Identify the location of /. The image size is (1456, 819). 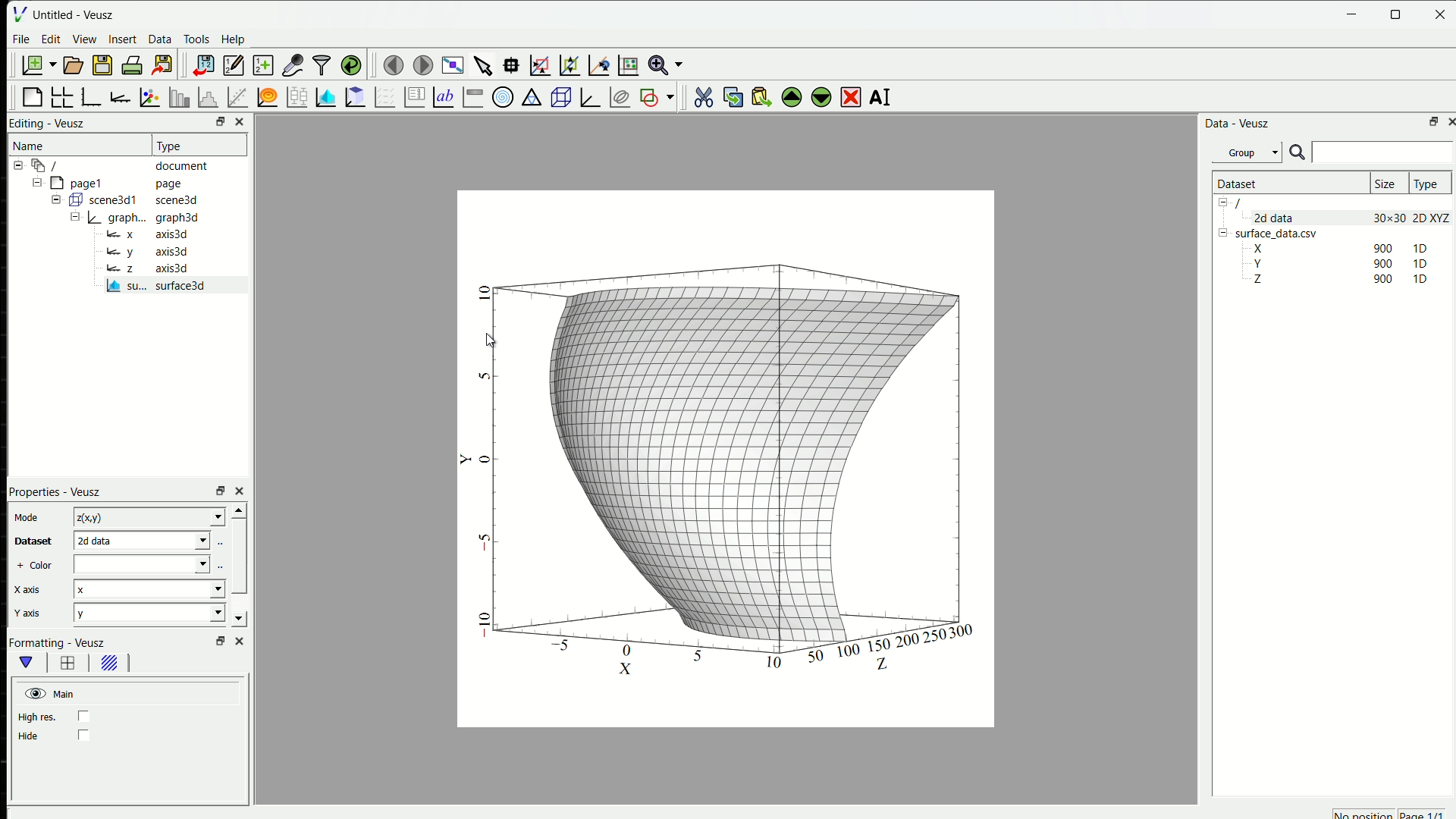
(1240, 203).